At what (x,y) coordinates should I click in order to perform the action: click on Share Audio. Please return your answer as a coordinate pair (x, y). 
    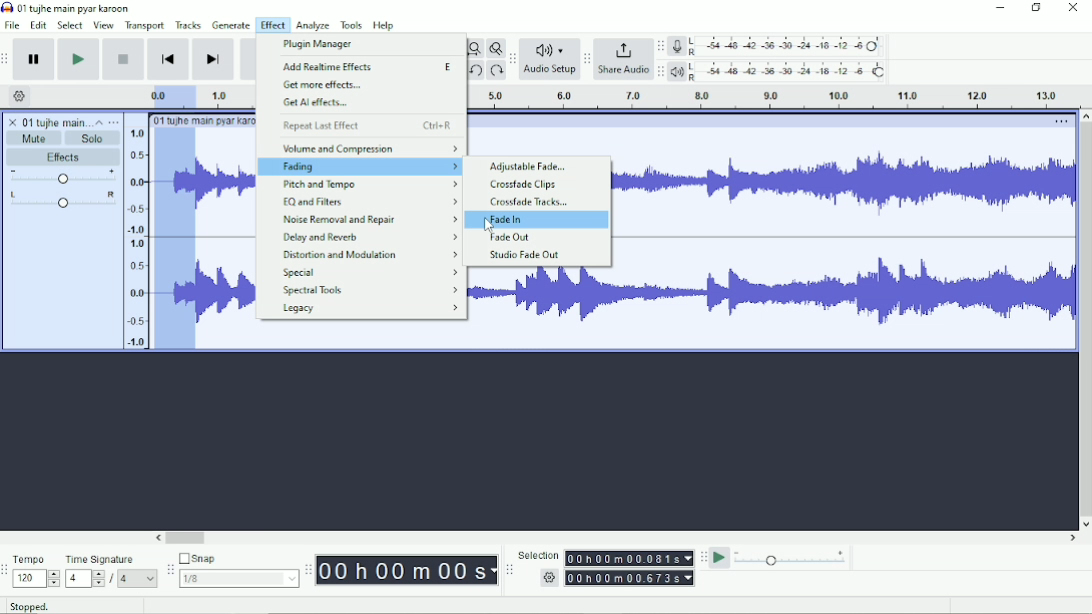
    Looking at the image, I should click on (622, 71).